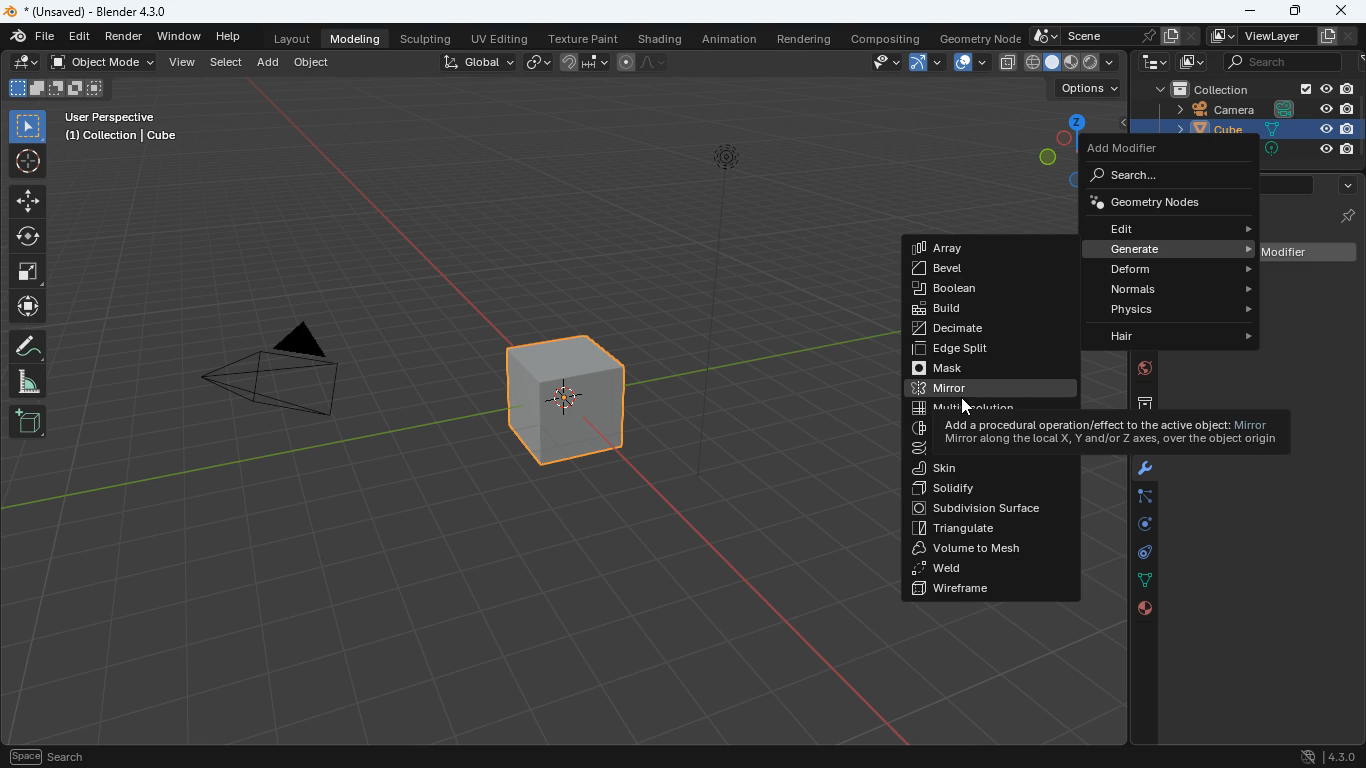 Image resolution: width=1366 pixels, height=768 pixels. I want to click on collection, so click(1199, 87).